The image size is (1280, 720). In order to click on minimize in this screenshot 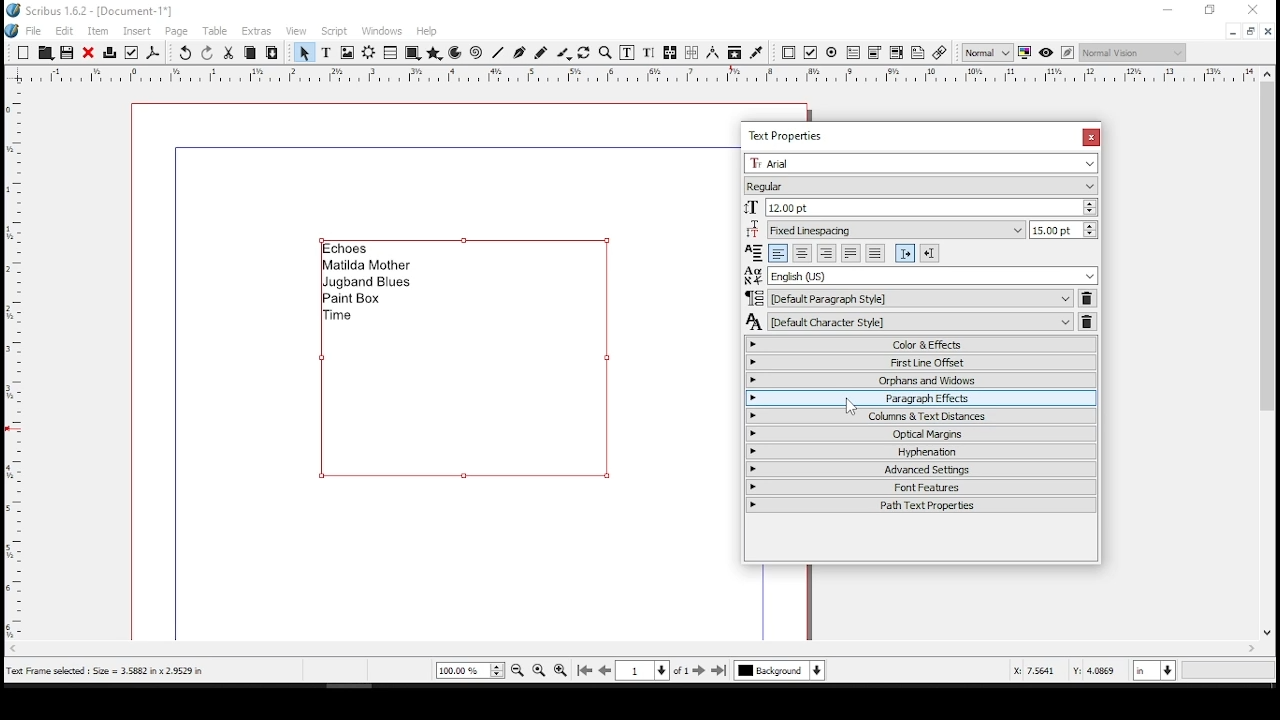, I will do `click(1169, 10)`.